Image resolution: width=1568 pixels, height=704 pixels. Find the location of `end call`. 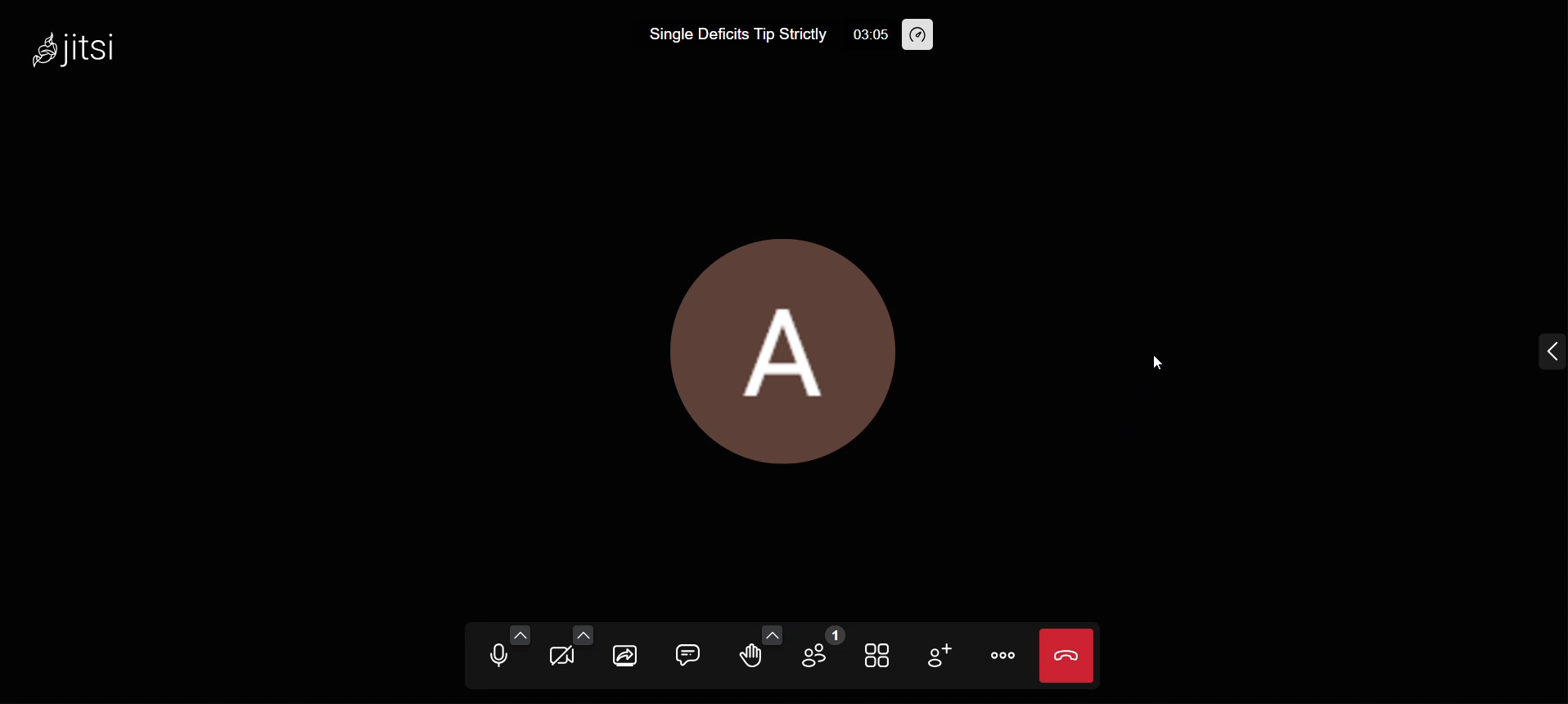

end call is located at coordinates (1070, 654).